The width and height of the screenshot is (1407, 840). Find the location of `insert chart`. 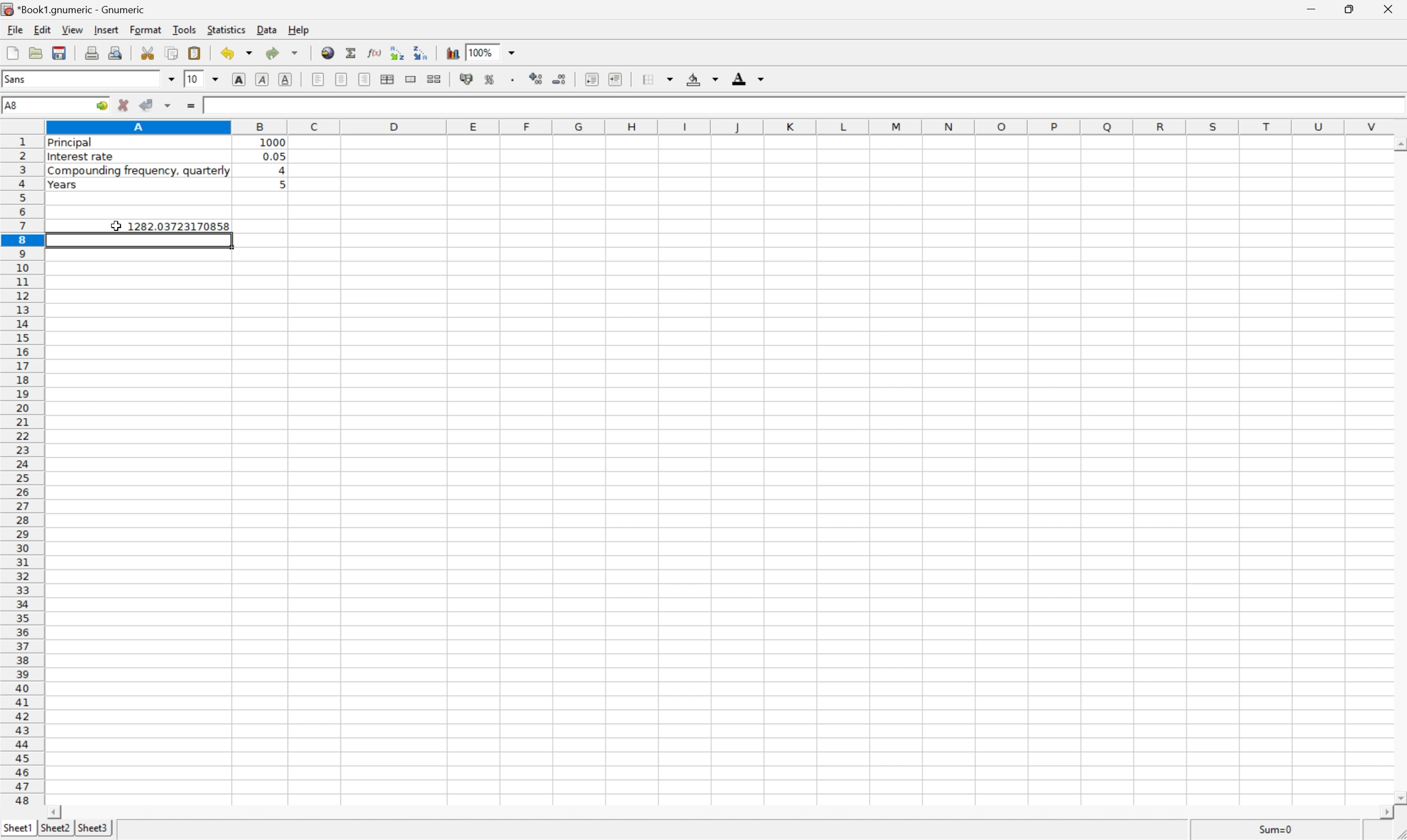

insert chart is located at coordinates (451, 52).